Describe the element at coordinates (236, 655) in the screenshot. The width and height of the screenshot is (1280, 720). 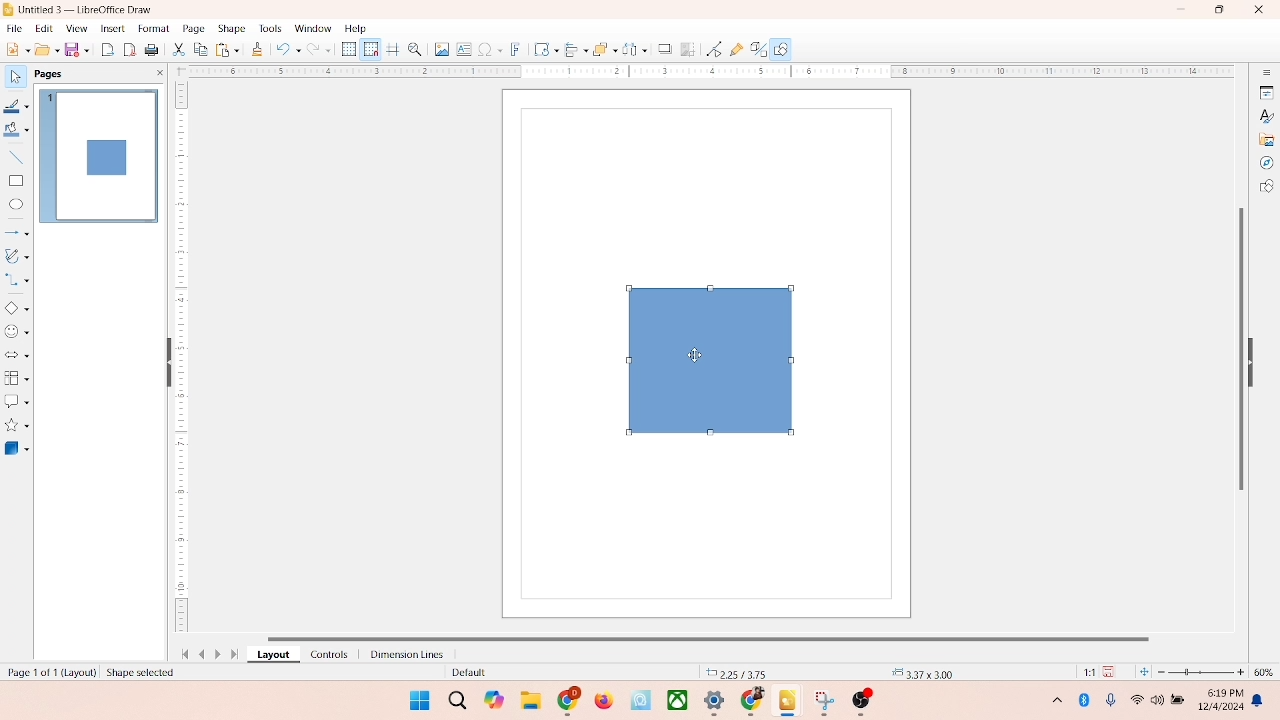
I see `last page` at that location.